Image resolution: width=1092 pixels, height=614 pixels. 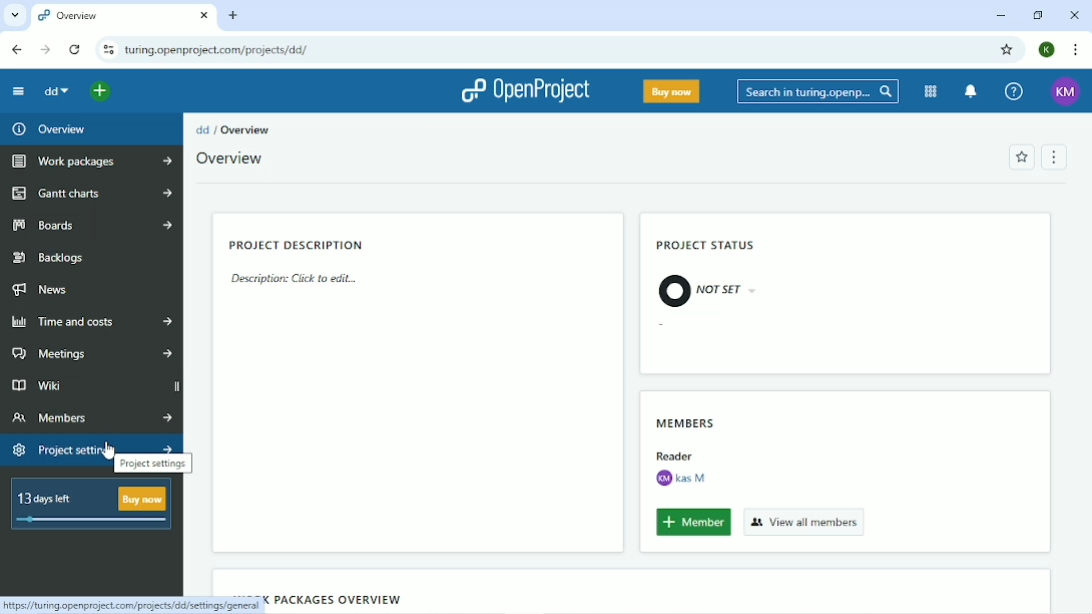 What do you see at coordinates (806, 520) in the screenshot?
I see `View all members` at bounding box center [806, 520].